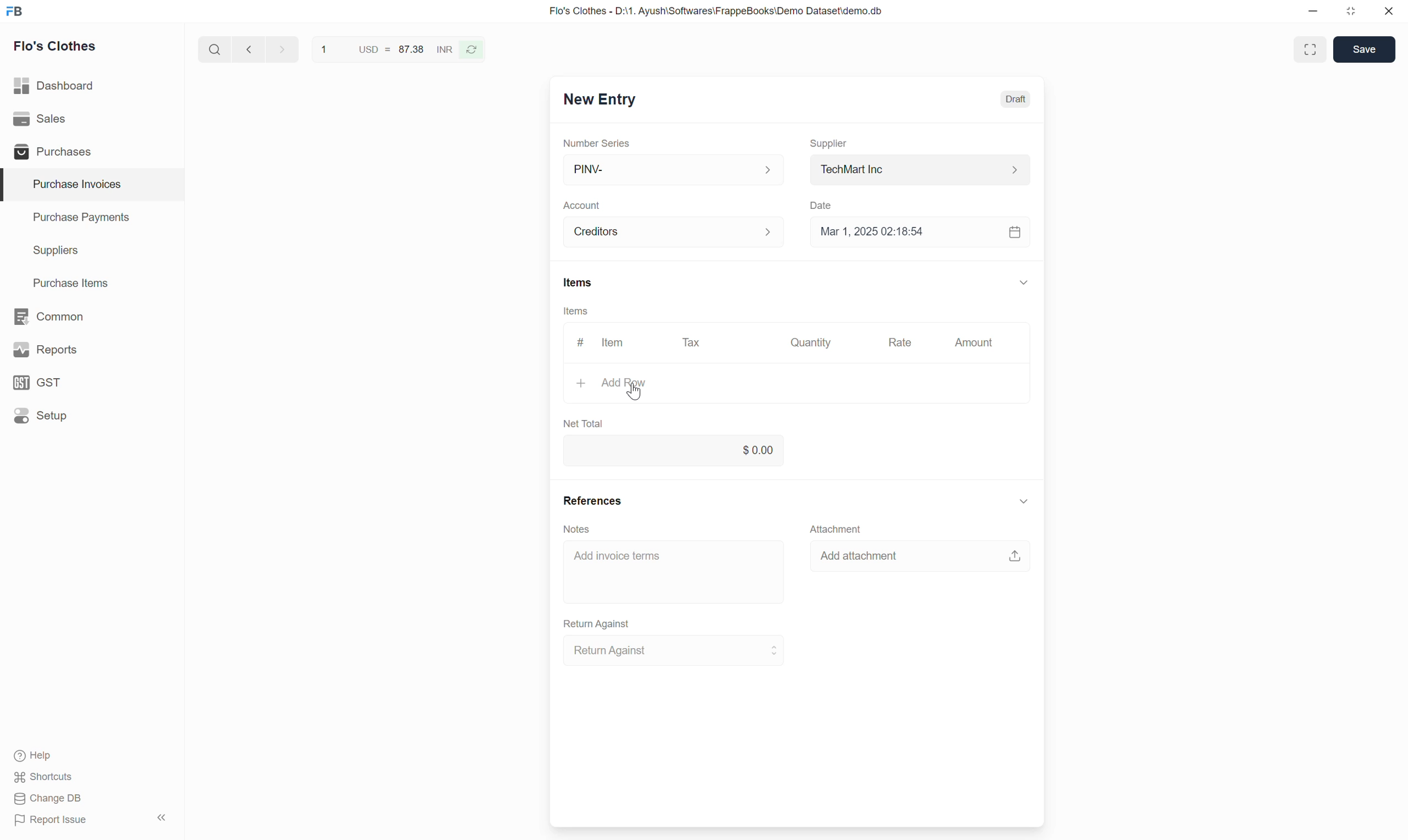  Describe the element at coordinates (675, 232) in the screenshot. I see `Creditors` at that location.